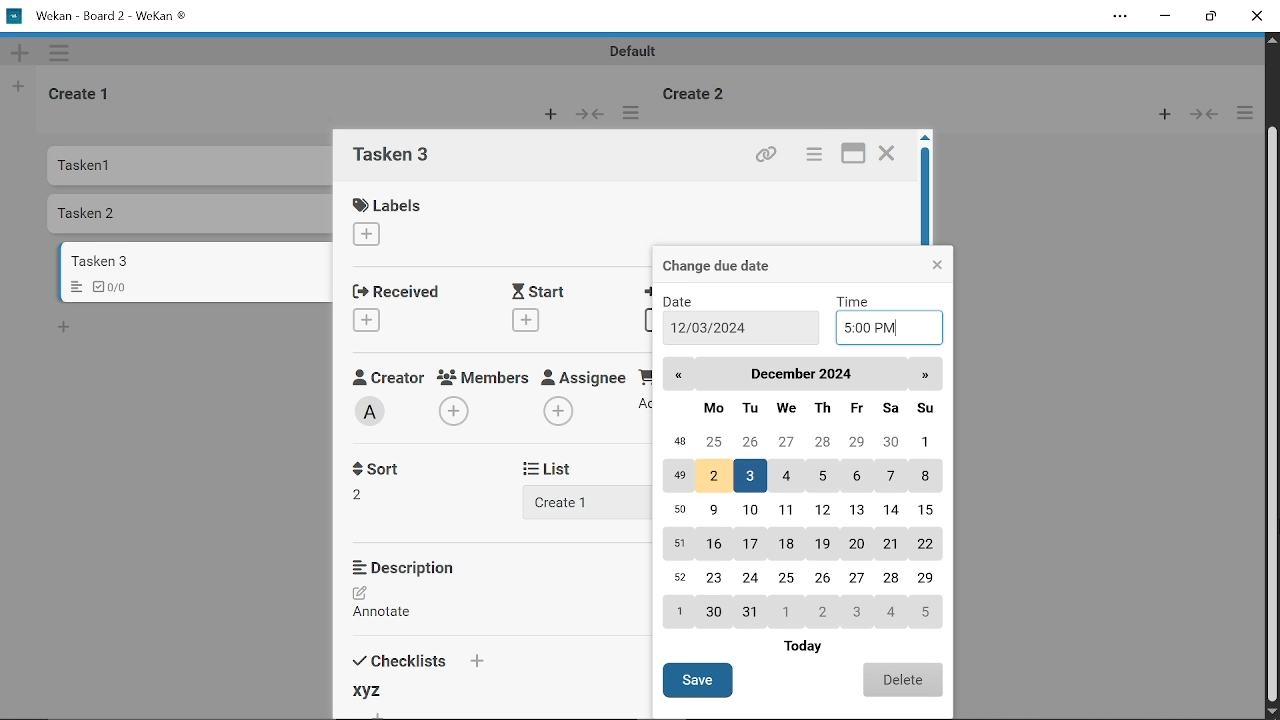  I want to click on Forward/Back, so click(590, 113).